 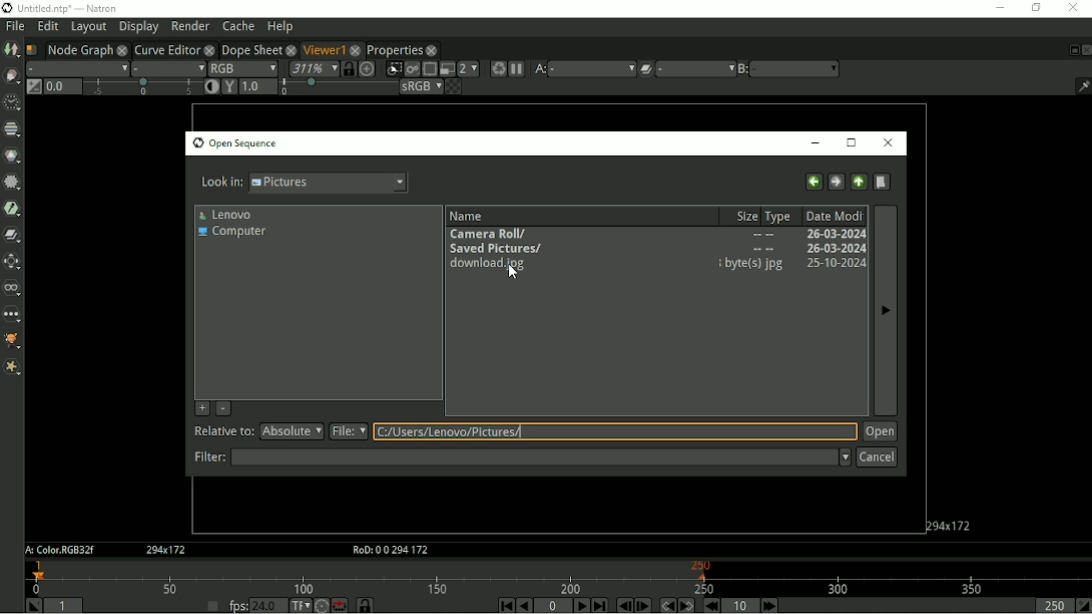 What do you see at coordinates (836, 182) in the screenshot?
I see `Forward` at bounding box center [836, 182].